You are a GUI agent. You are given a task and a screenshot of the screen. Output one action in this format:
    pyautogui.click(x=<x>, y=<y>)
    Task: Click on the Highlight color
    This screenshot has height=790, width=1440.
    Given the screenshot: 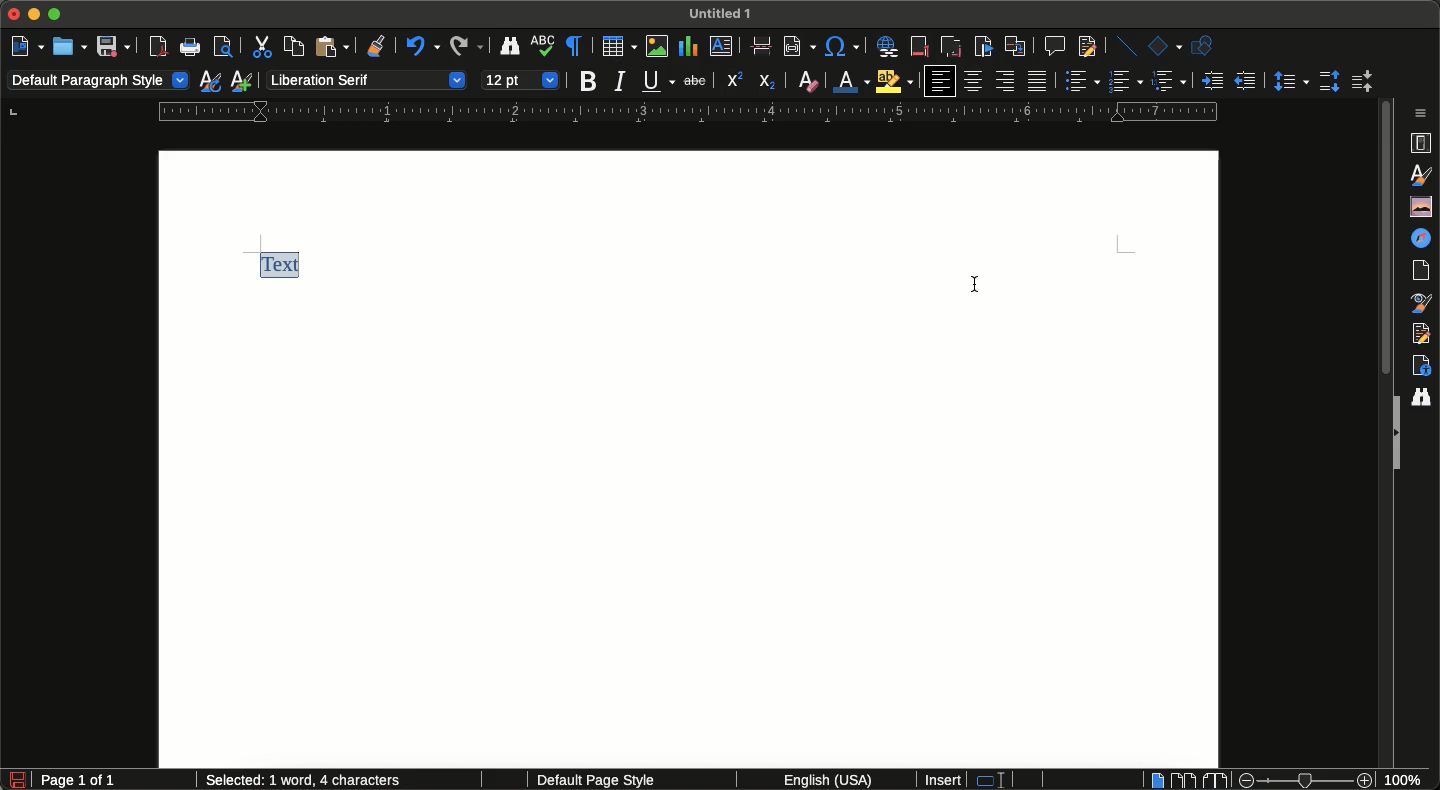 What is the action you would take?
    pyautogui.click(x=896, y=81)
    